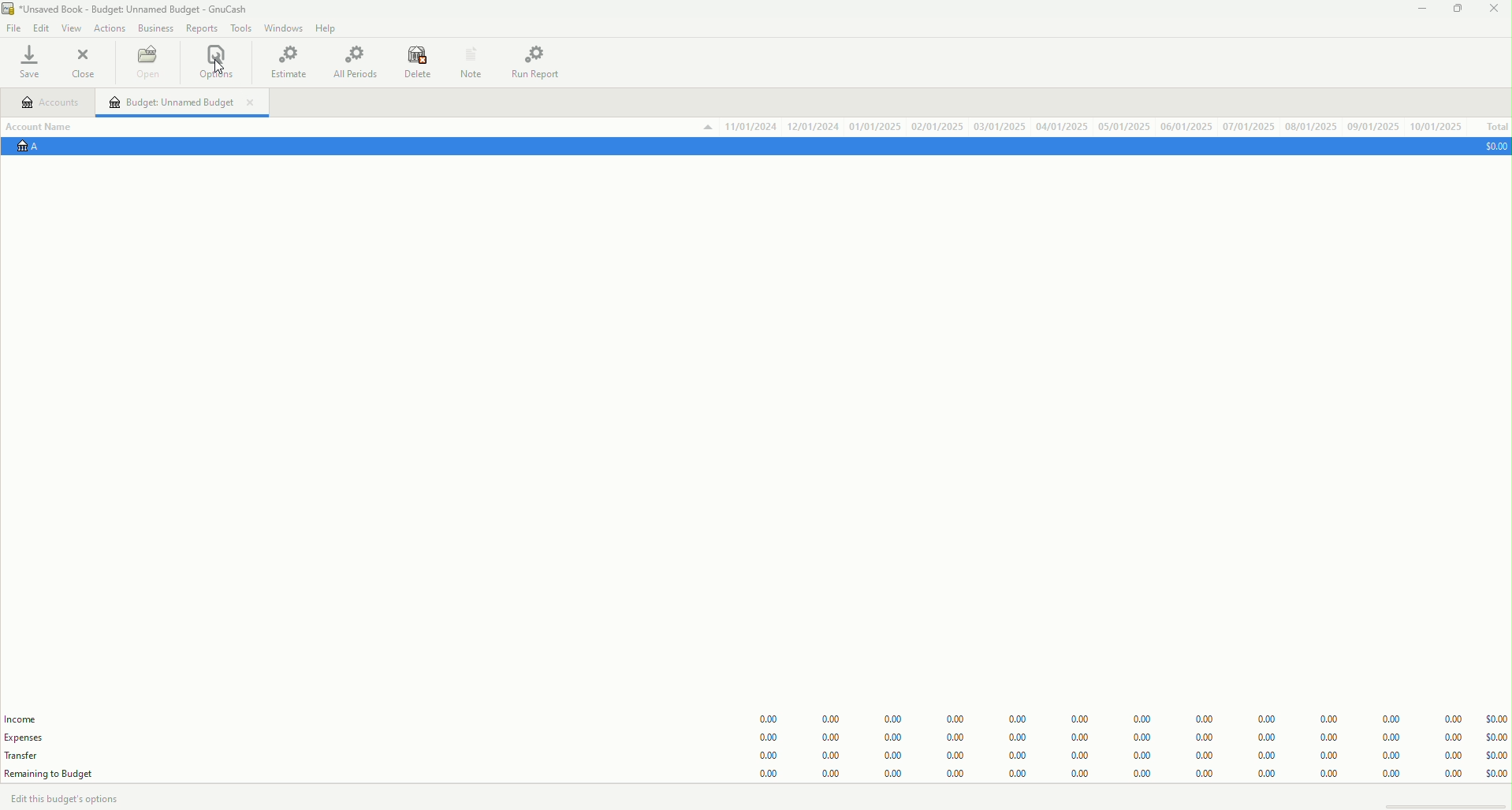  Describe the element at coordinates (283, 30) in the screenshot. I see `Windows` at that location.